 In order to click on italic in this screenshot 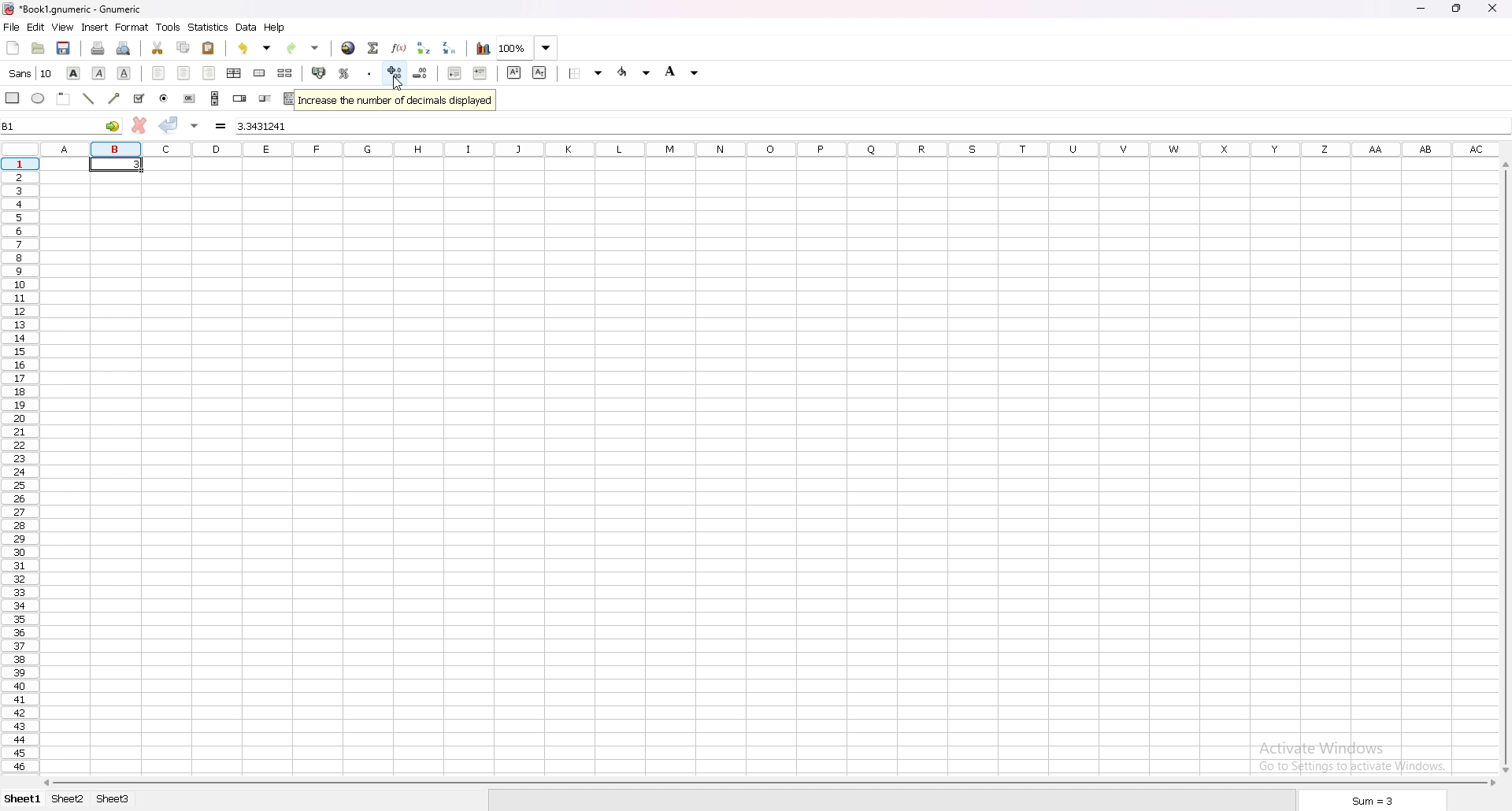, I will do `click(101, 72)`.